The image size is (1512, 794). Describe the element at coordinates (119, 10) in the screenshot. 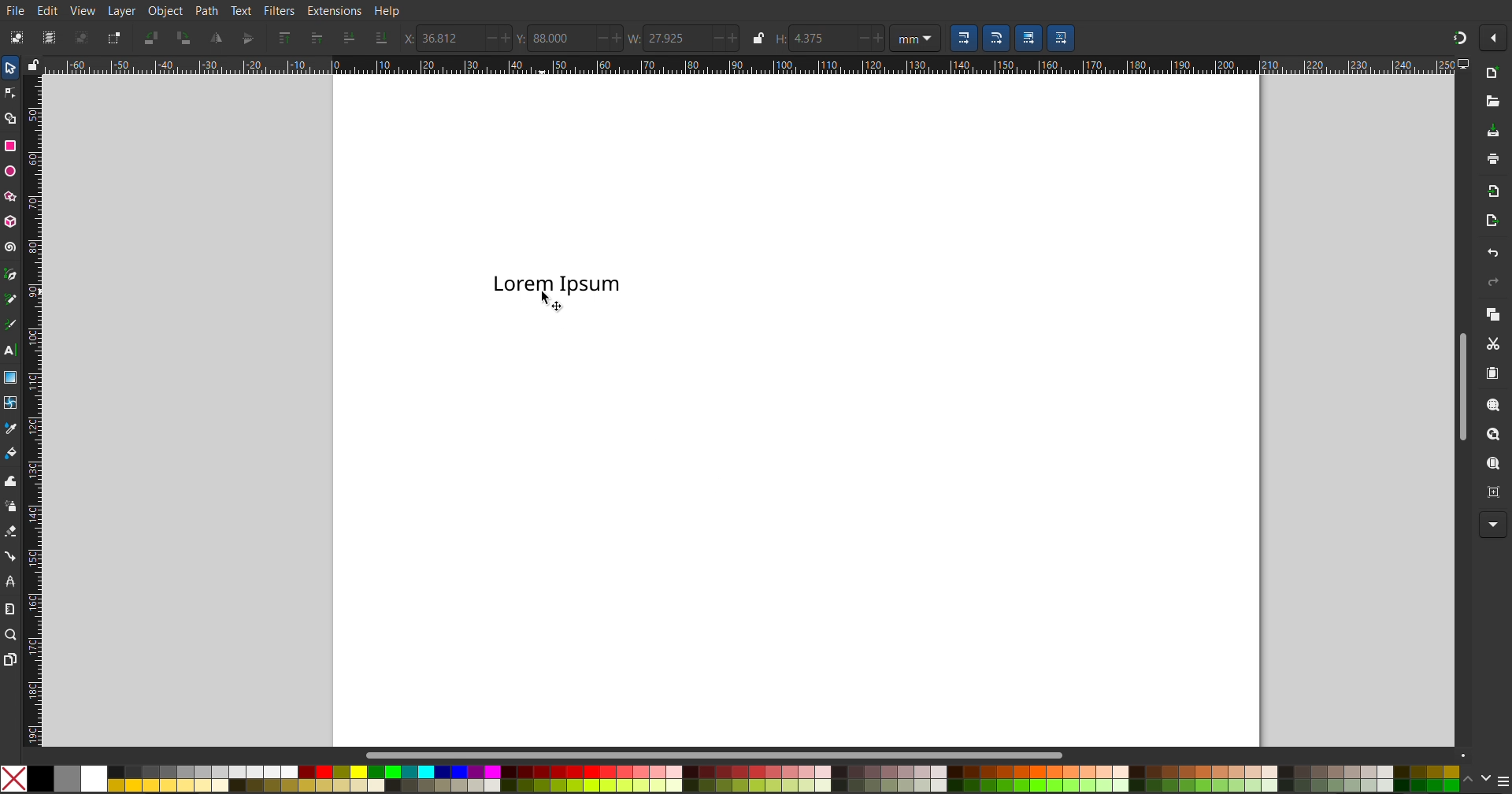

I see `Layer` at that location.